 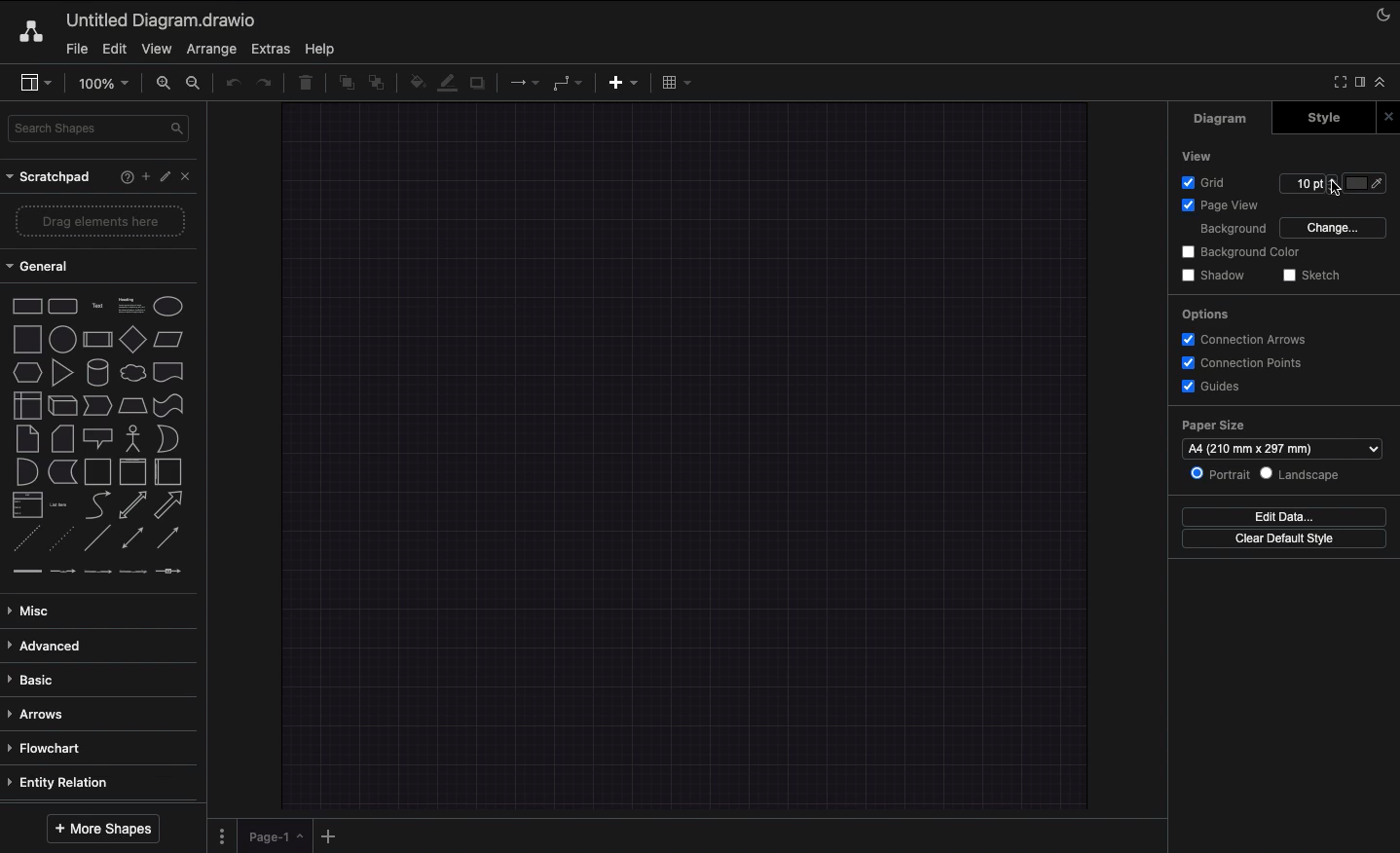 I want to click on Shadow, so click(x=1212, y=275).